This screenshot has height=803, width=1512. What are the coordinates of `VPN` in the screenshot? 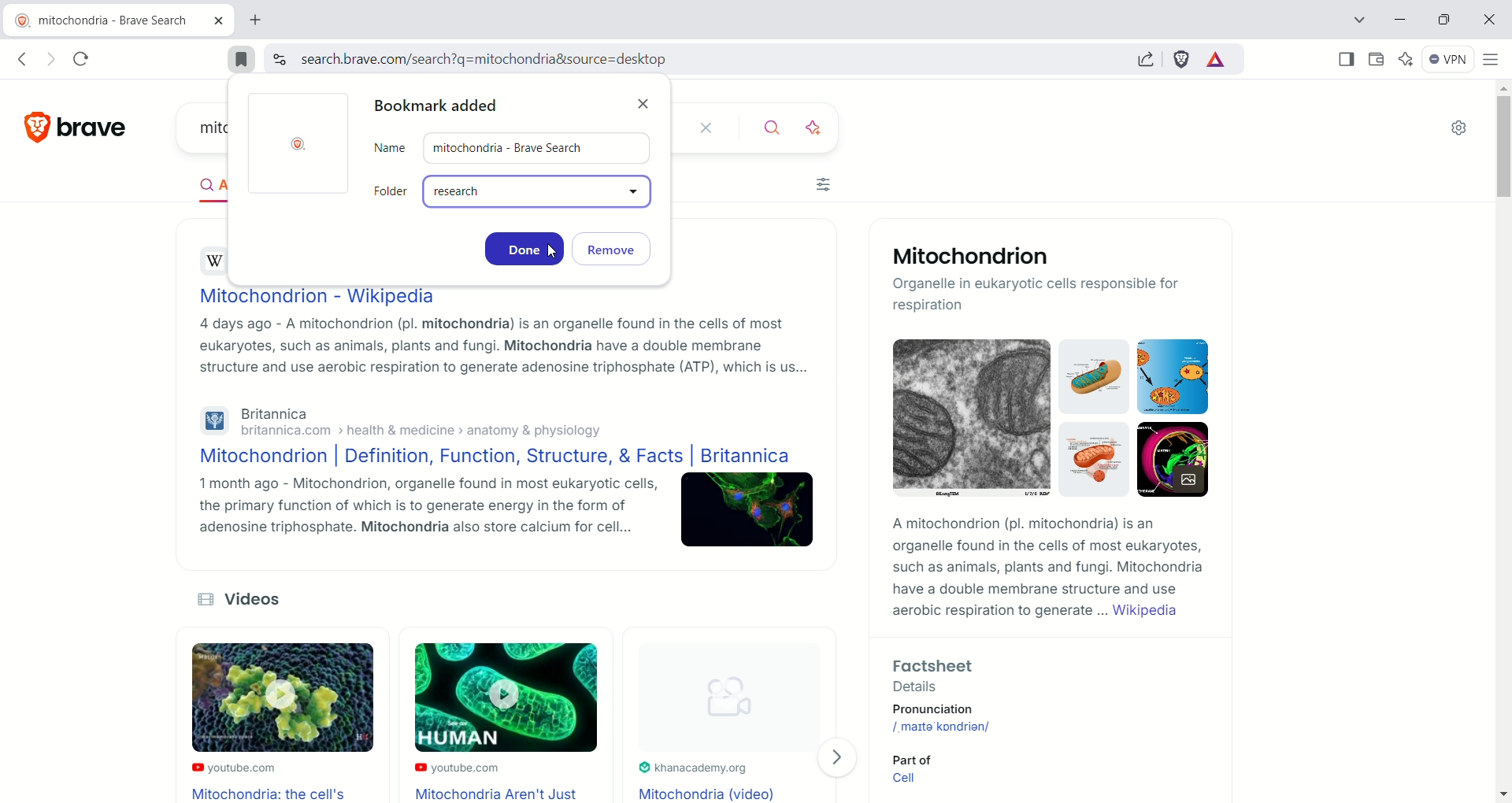 It's located at (1451, 60).